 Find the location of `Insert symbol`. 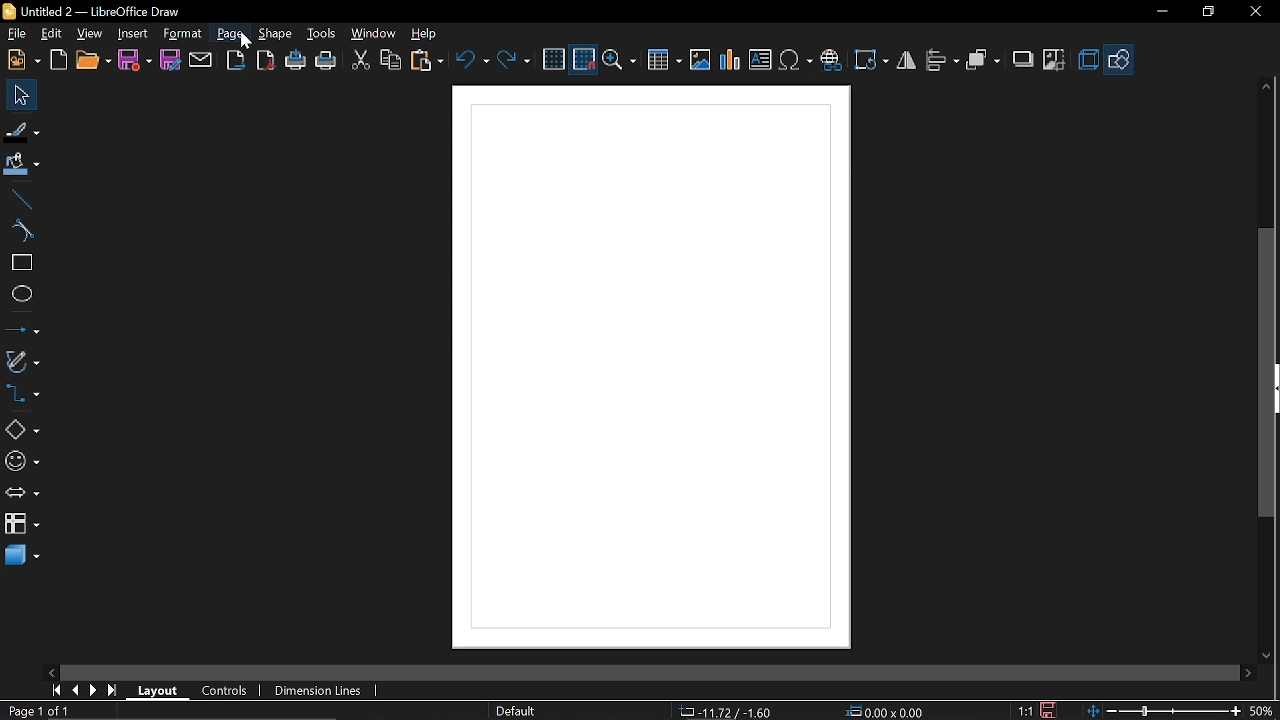

Insert symbol is located at coordinates (796, 61).